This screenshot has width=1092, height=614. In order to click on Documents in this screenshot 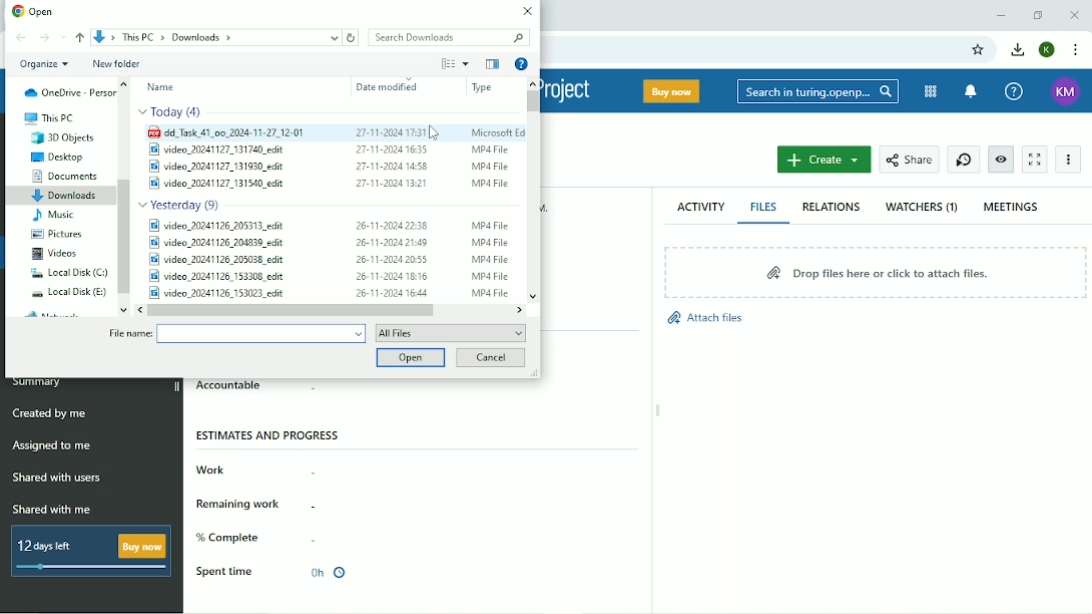, I will do `click(66, 176)`.